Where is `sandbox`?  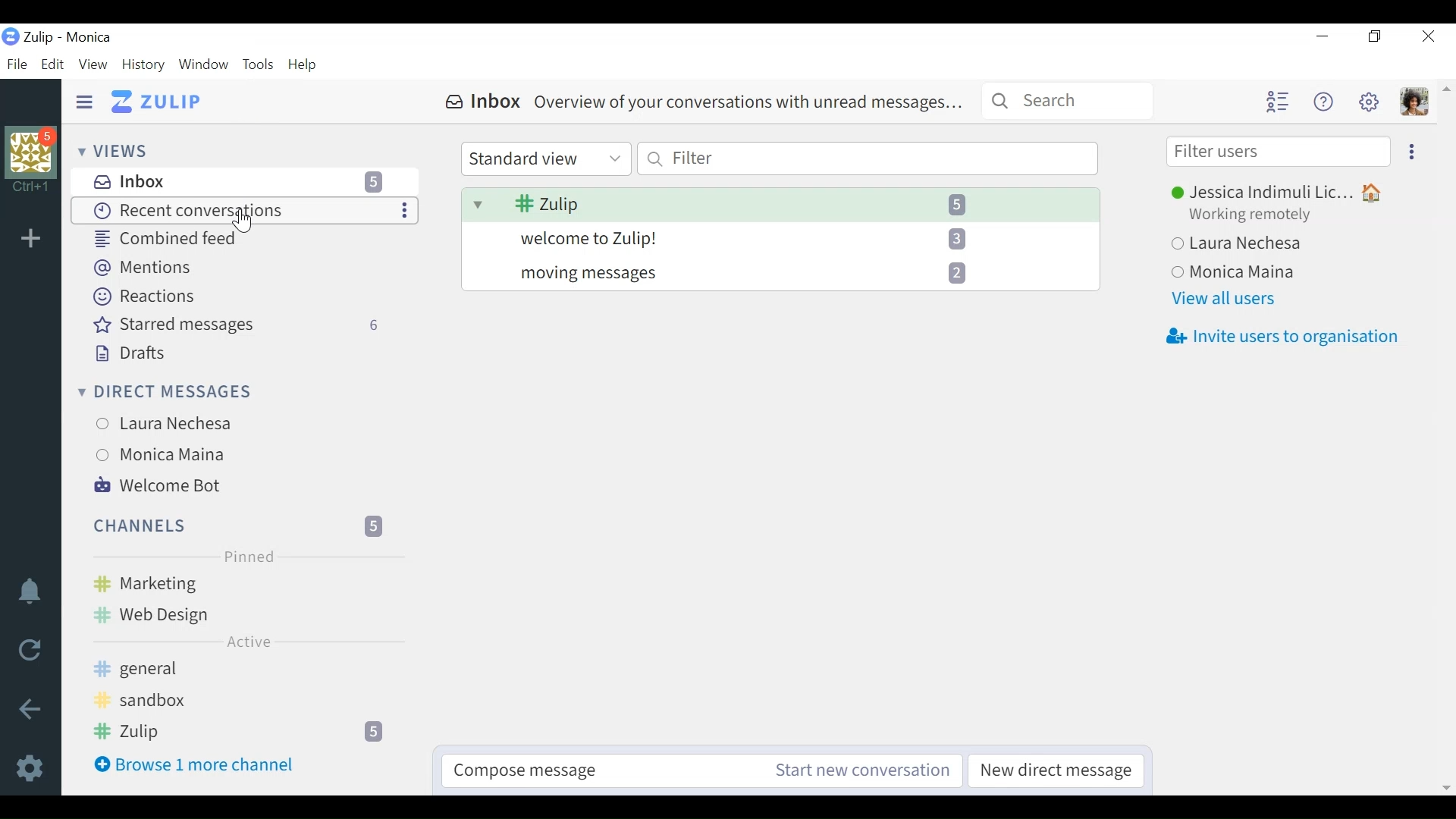
sandbox is located at coordinates (235, 701).